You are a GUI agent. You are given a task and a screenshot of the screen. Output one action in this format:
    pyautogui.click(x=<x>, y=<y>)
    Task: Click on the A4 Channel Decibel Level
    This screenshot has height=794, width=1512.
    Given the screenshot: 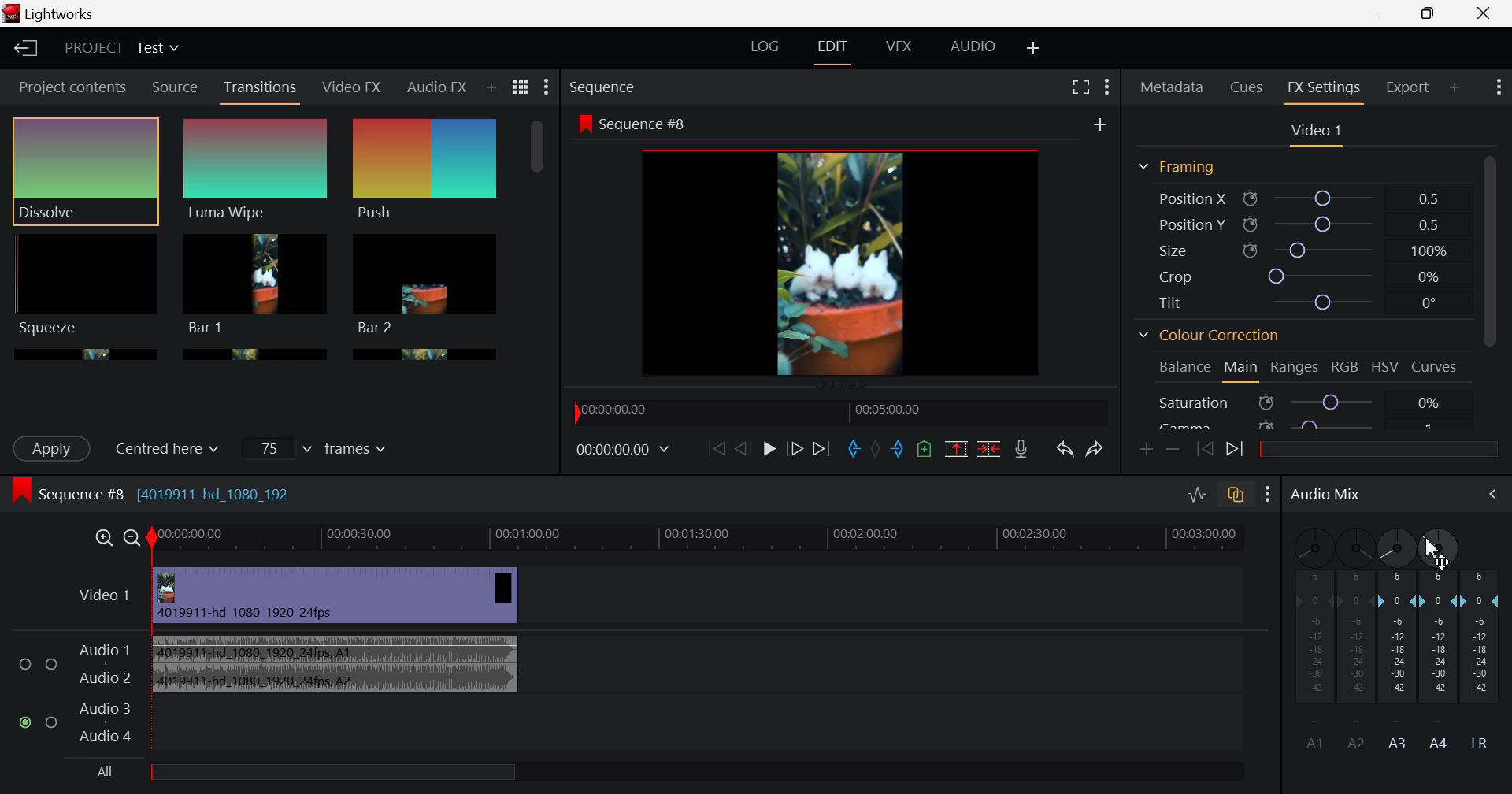 What is the action you would take?
    pyautogui.click(x=1441, y=665)
    